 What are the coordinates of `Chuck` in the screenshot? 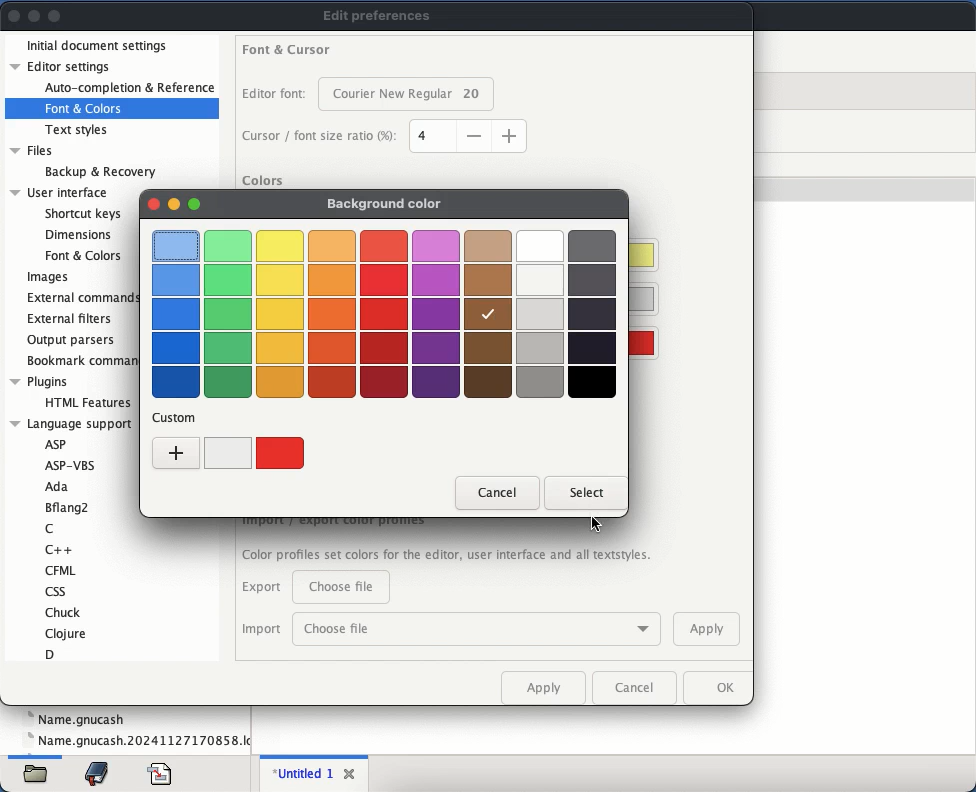 It's located at (61, 611).